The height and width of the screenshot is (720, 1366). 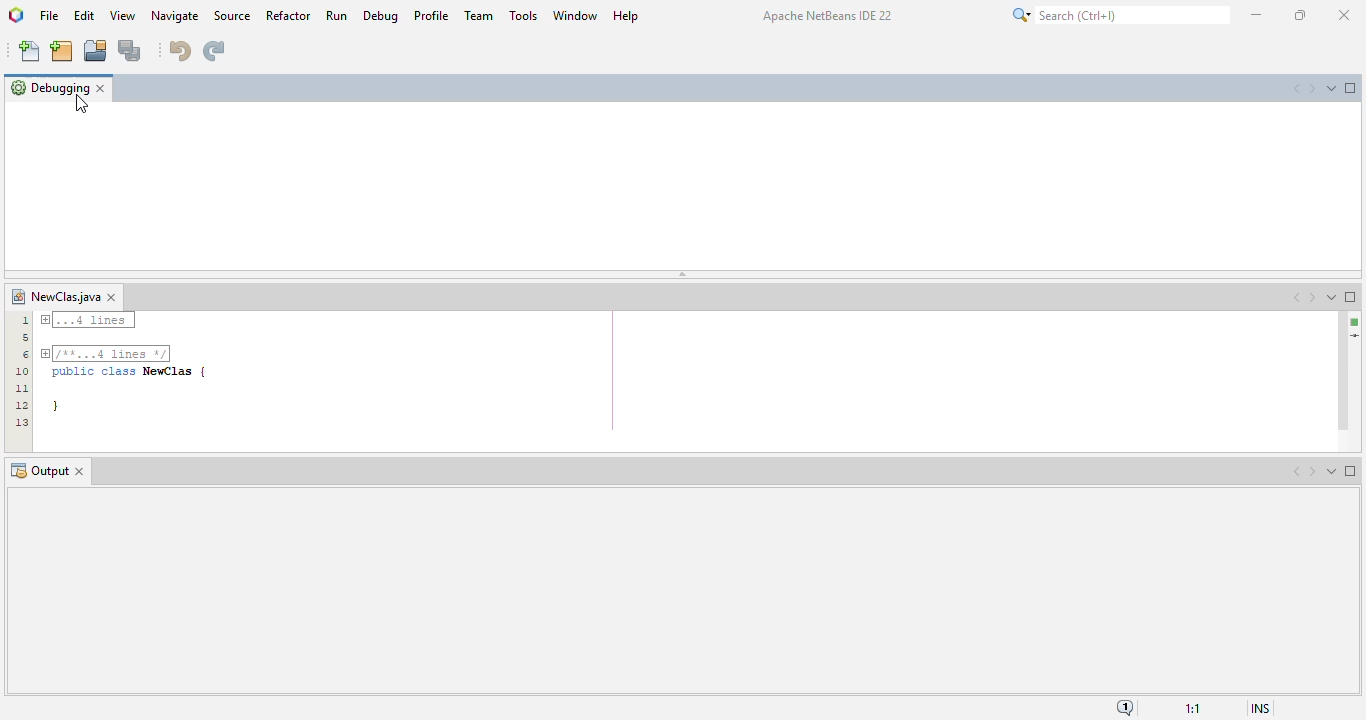 I want to click on save all, so click(x=130, y=51).